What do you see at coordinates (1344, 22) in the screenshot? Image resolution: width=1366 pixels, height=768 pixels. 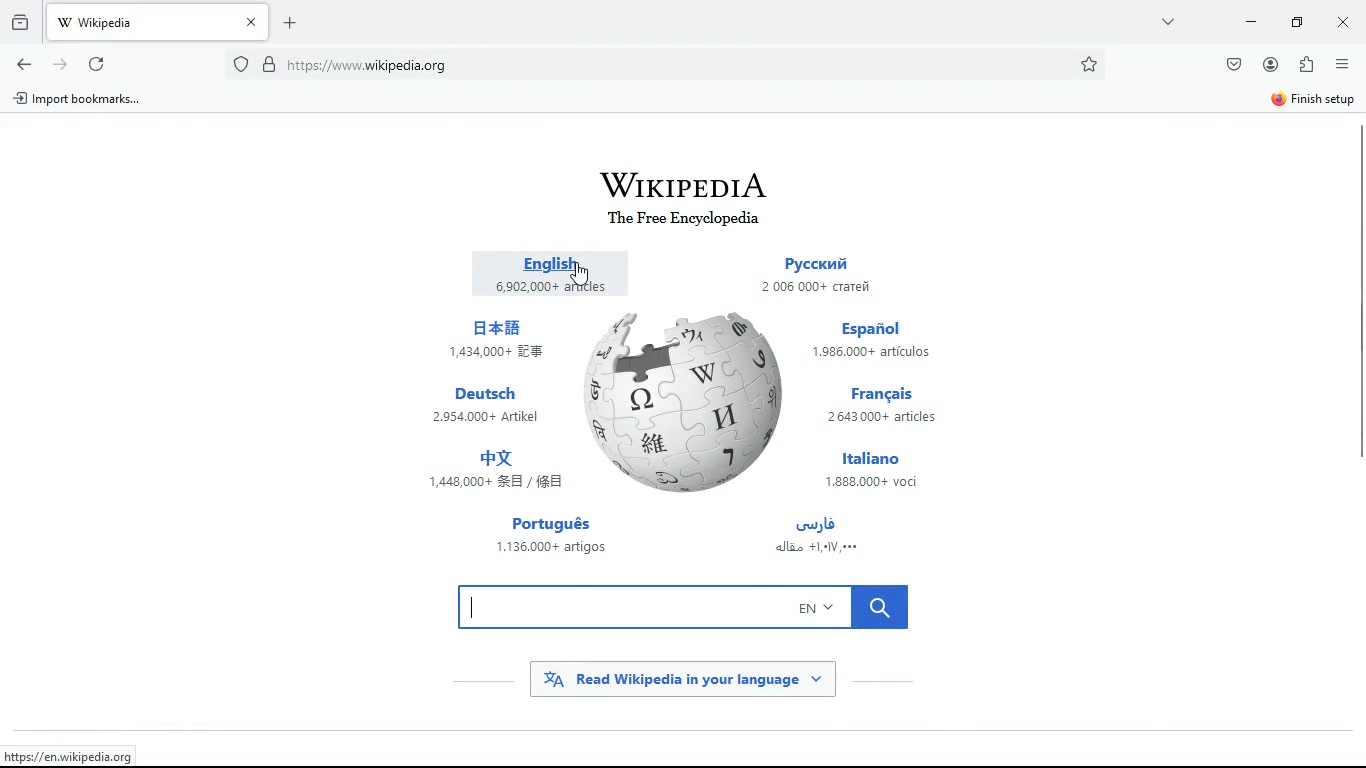 I see `close` at bounding box center [1344, 22].